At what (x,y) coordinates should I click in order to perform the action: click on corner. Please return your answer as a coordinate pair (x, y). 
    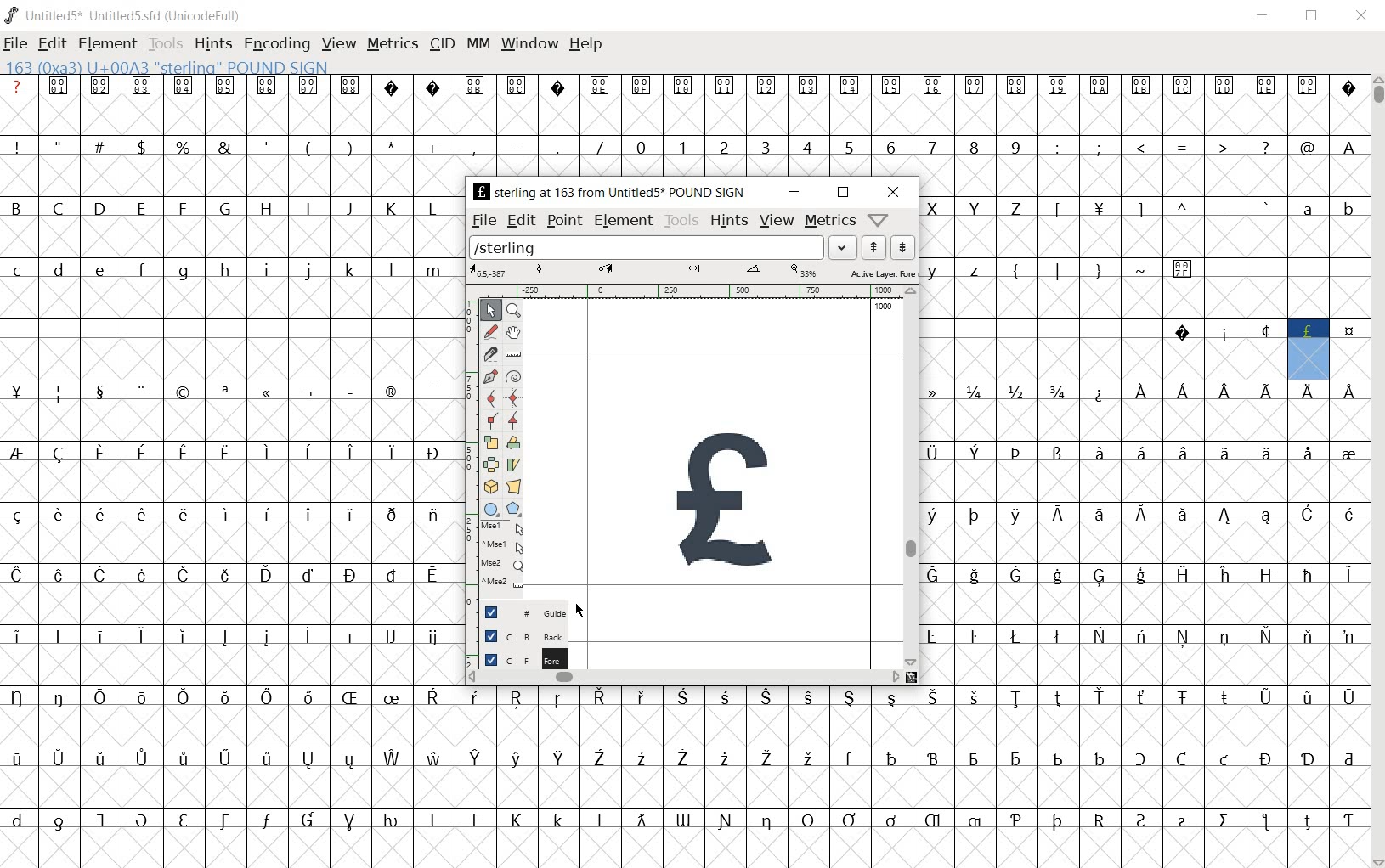
    Looking at the image, I should click on (495, 424).